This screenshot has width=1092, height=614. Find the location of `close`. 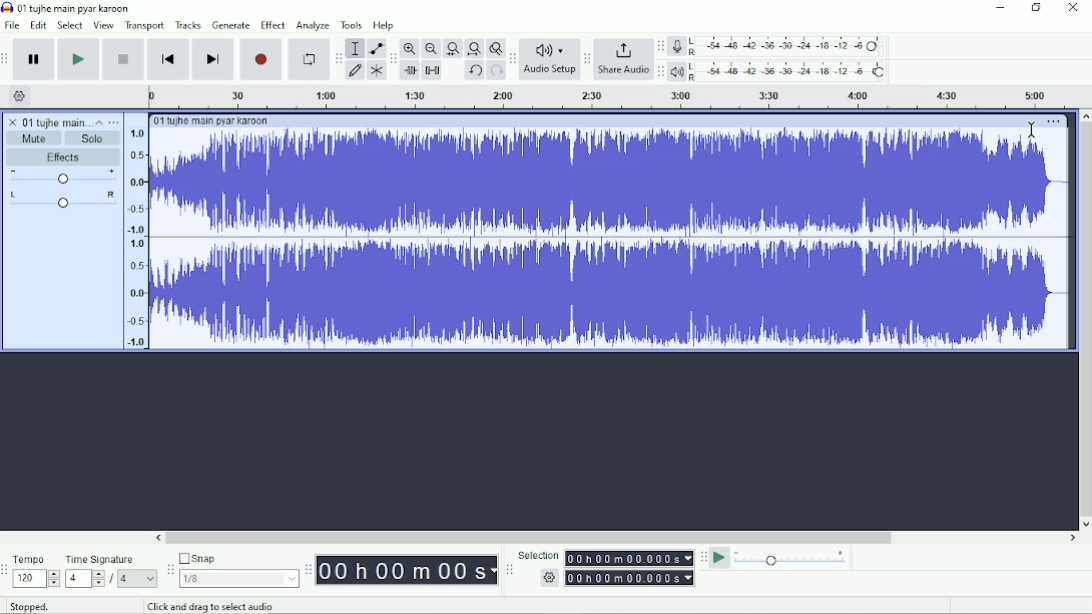

close is located at coordinates (11, 121).